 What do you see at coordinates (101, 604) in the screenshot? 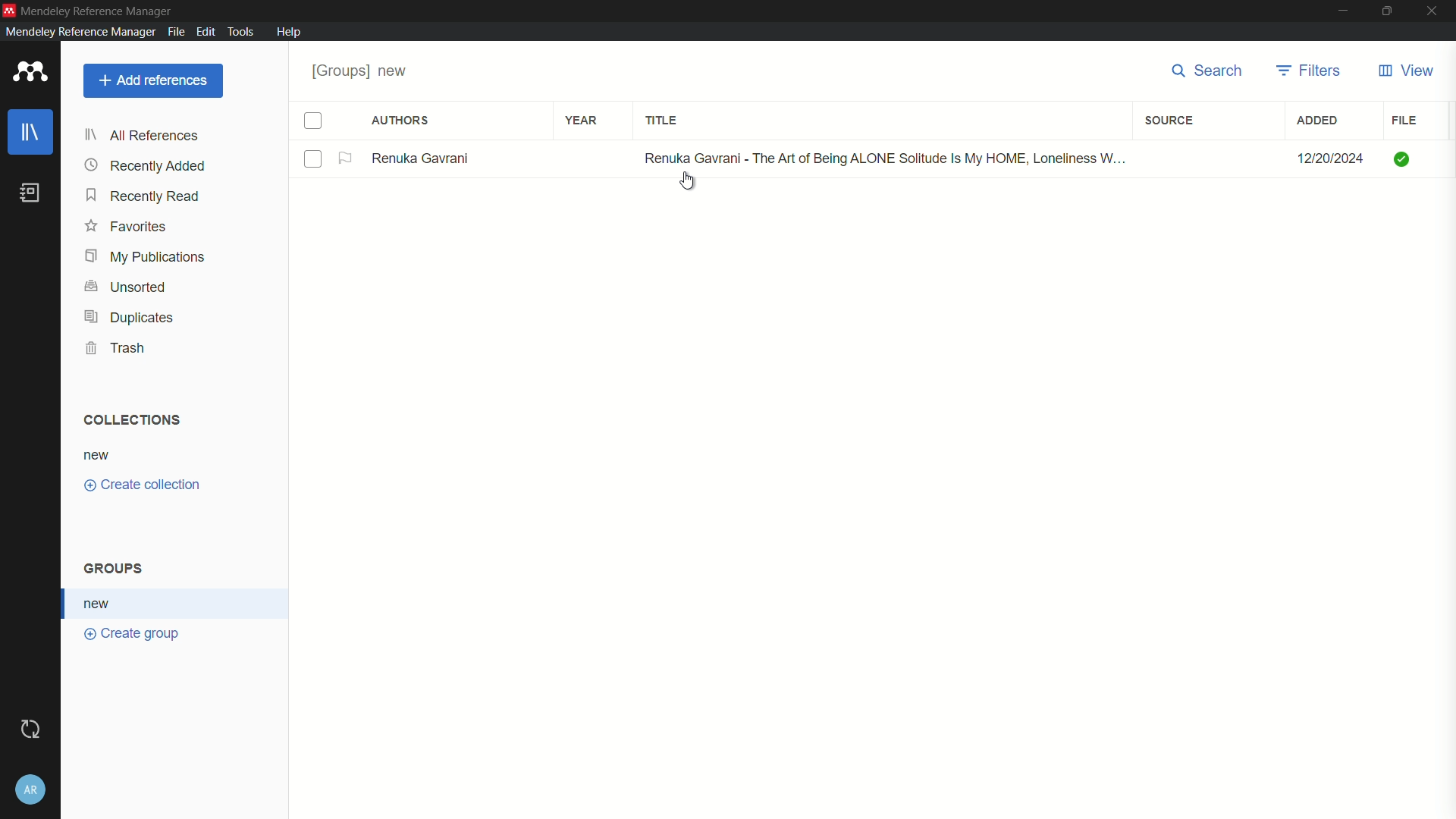
I see `new` at bounding box center [101, 604].